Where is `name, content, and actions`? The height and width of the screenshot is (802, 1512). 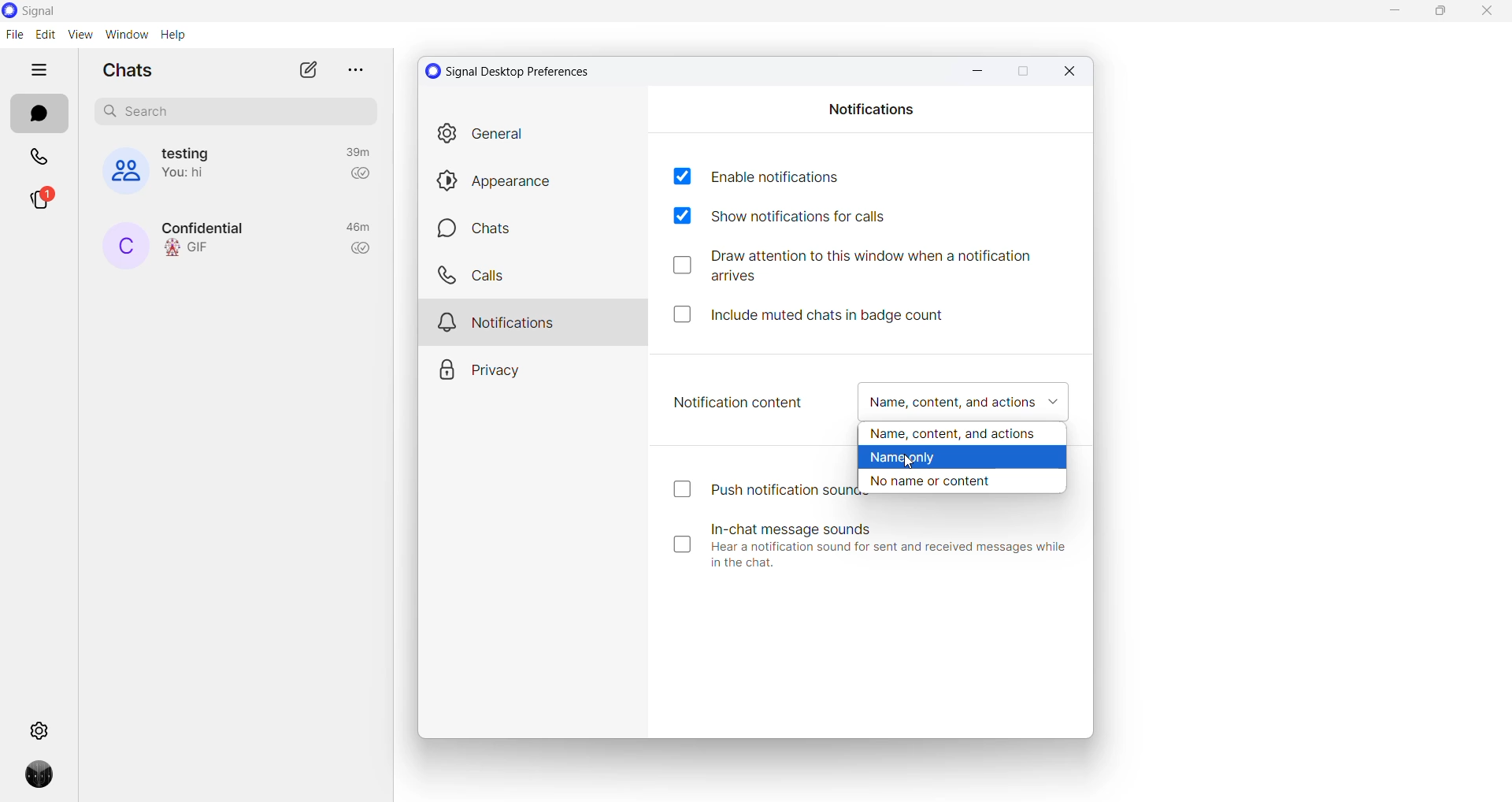 name, content, and actions is located at coordinates (961, 433).